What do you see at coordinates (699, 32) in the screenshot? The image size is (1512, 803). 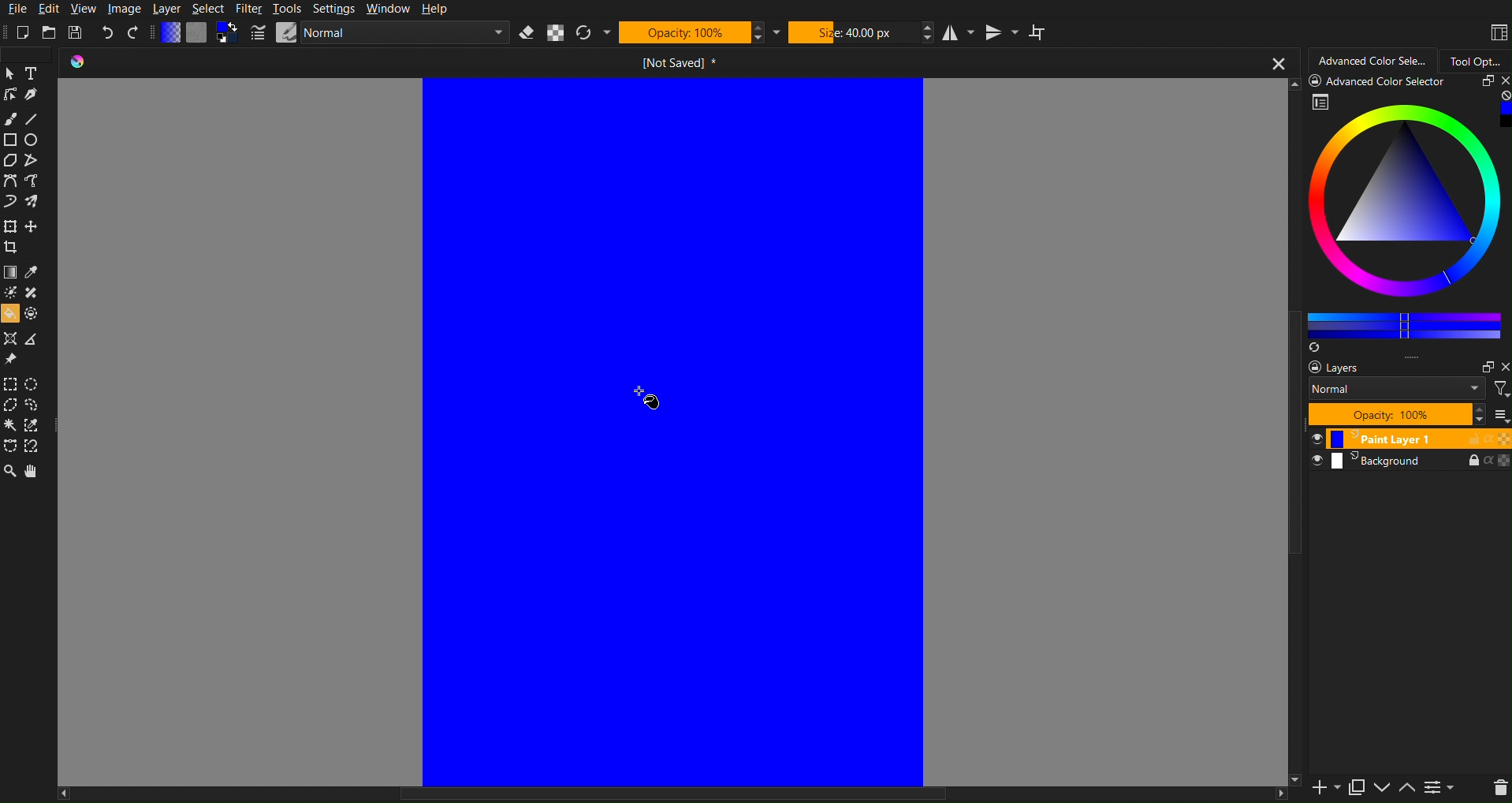 I see `Opacity 100%` at bounding box center [699, 32].